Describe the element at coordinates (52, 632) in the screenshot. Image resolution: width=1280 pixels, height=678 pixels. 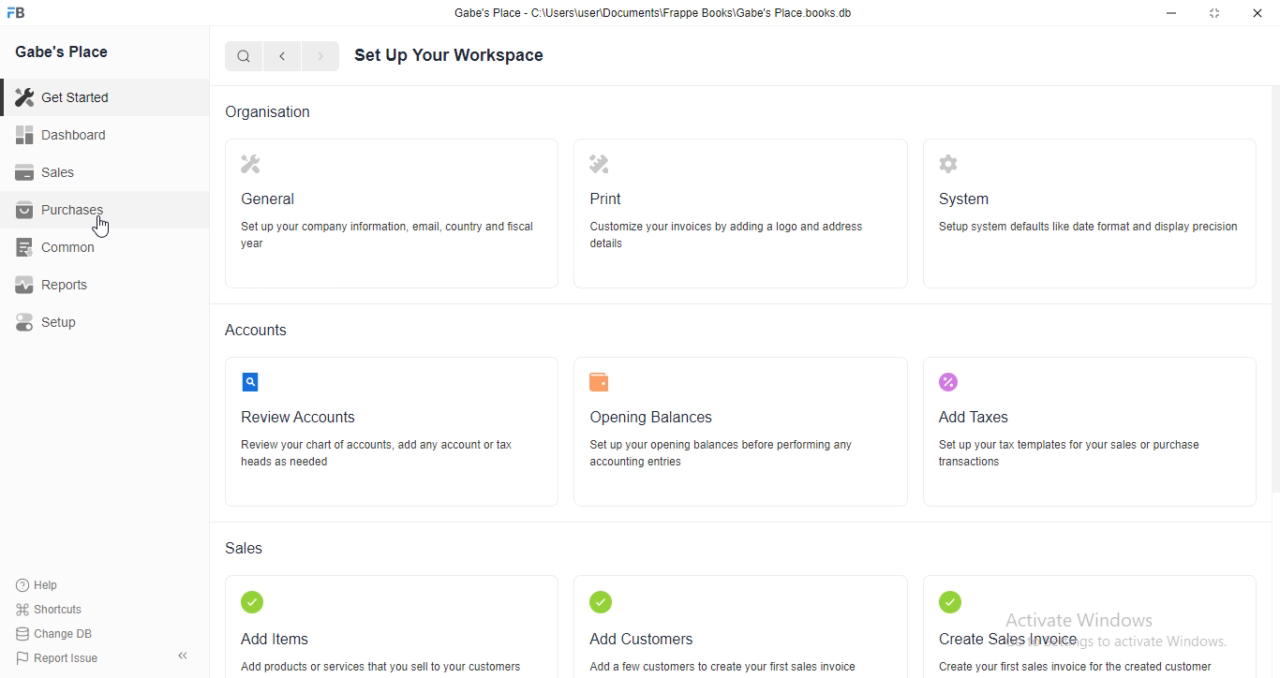
I see `Change DB` at that location.